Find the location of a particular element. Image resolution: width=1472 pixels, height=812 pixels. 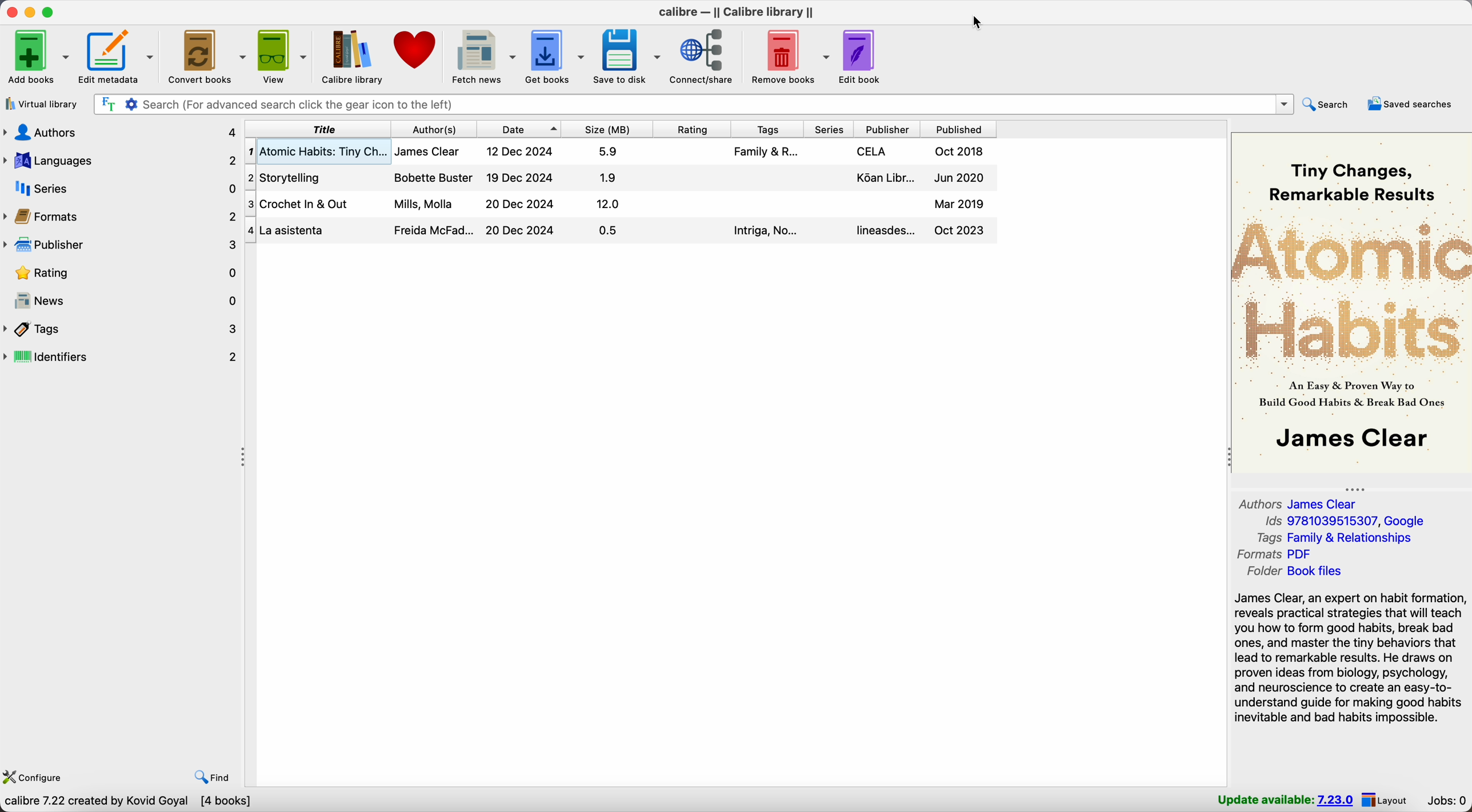

add books is located at coordinates (39, 57).